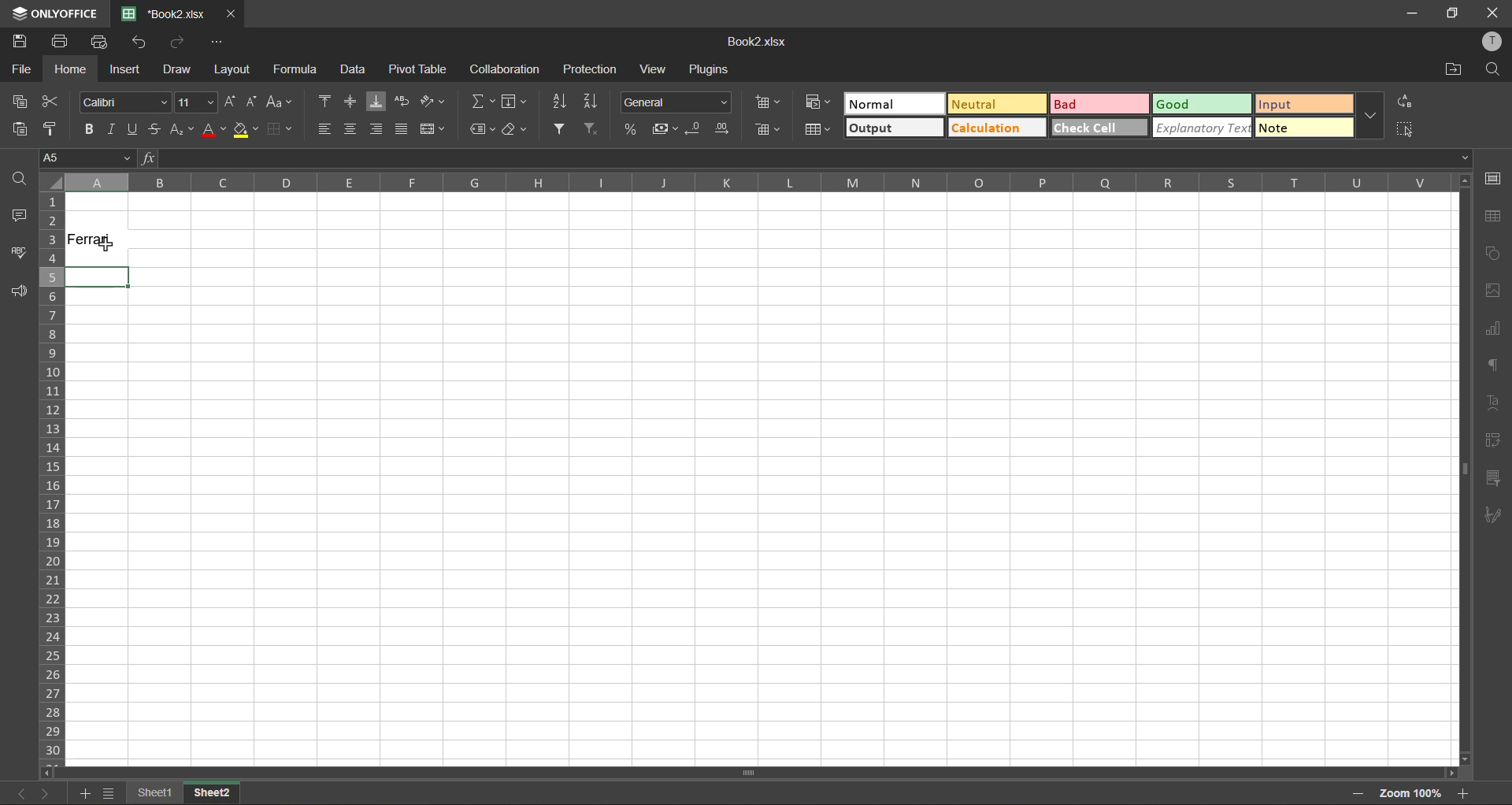 The width and height of the screenshot is (1512, 805). Describe the element at coordinates (1452, 70) in the screenshot. I see `open location` at that location.